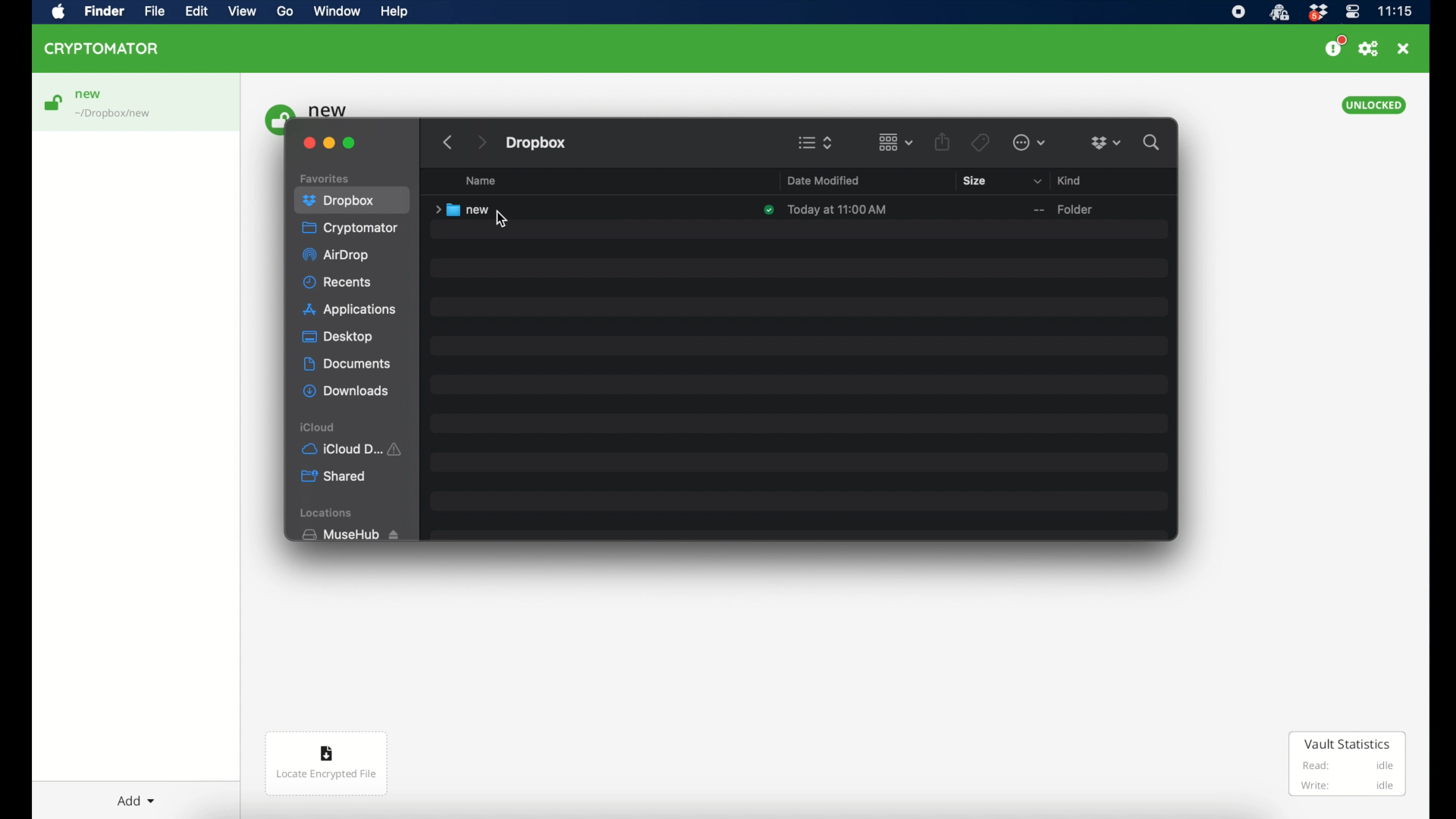 The image size is (1456, 819). Describe the element at coordinates (767, 182) in the screenshot. I see `name dropdown` at that location.